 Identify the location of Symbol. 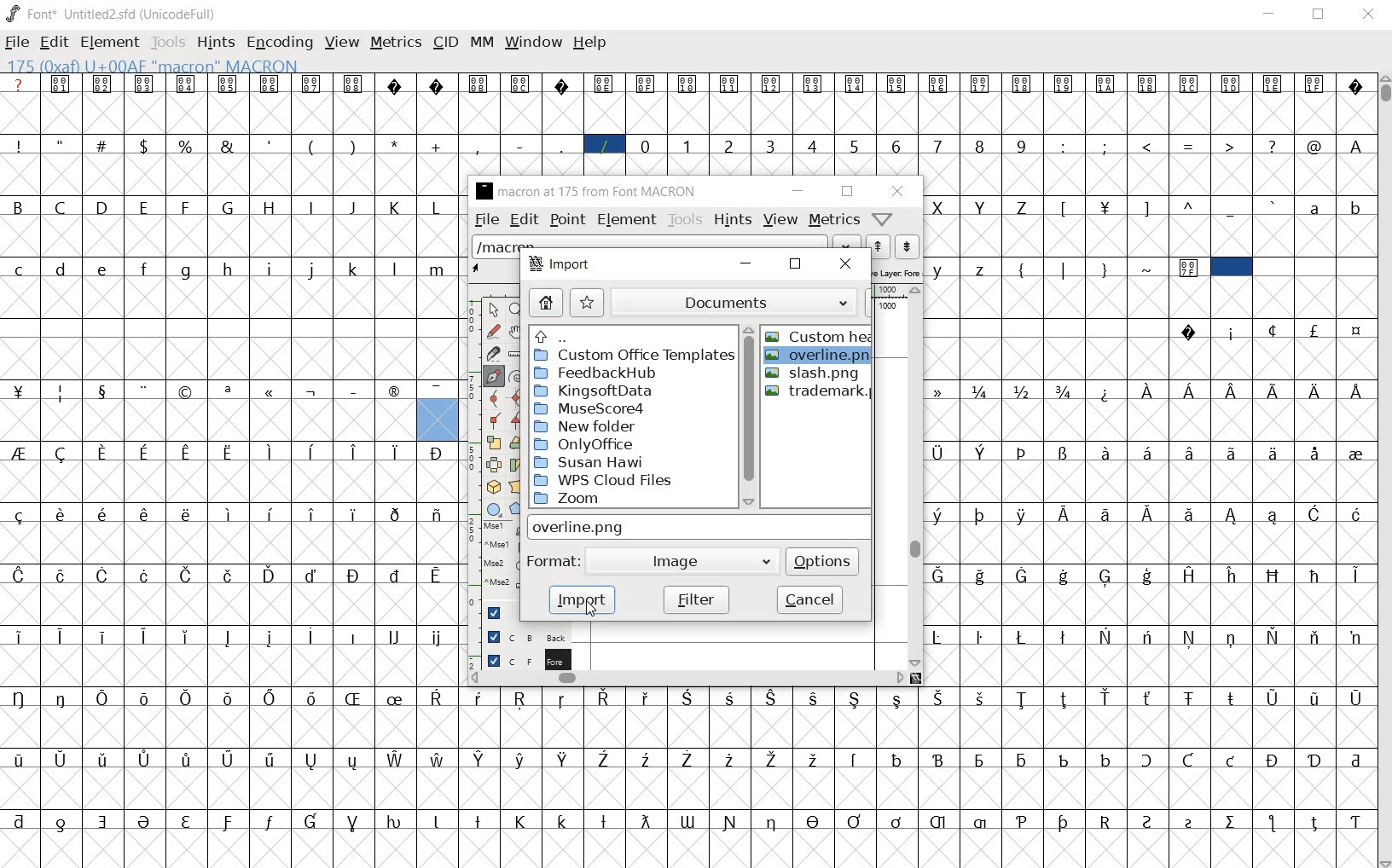
(313, 515).